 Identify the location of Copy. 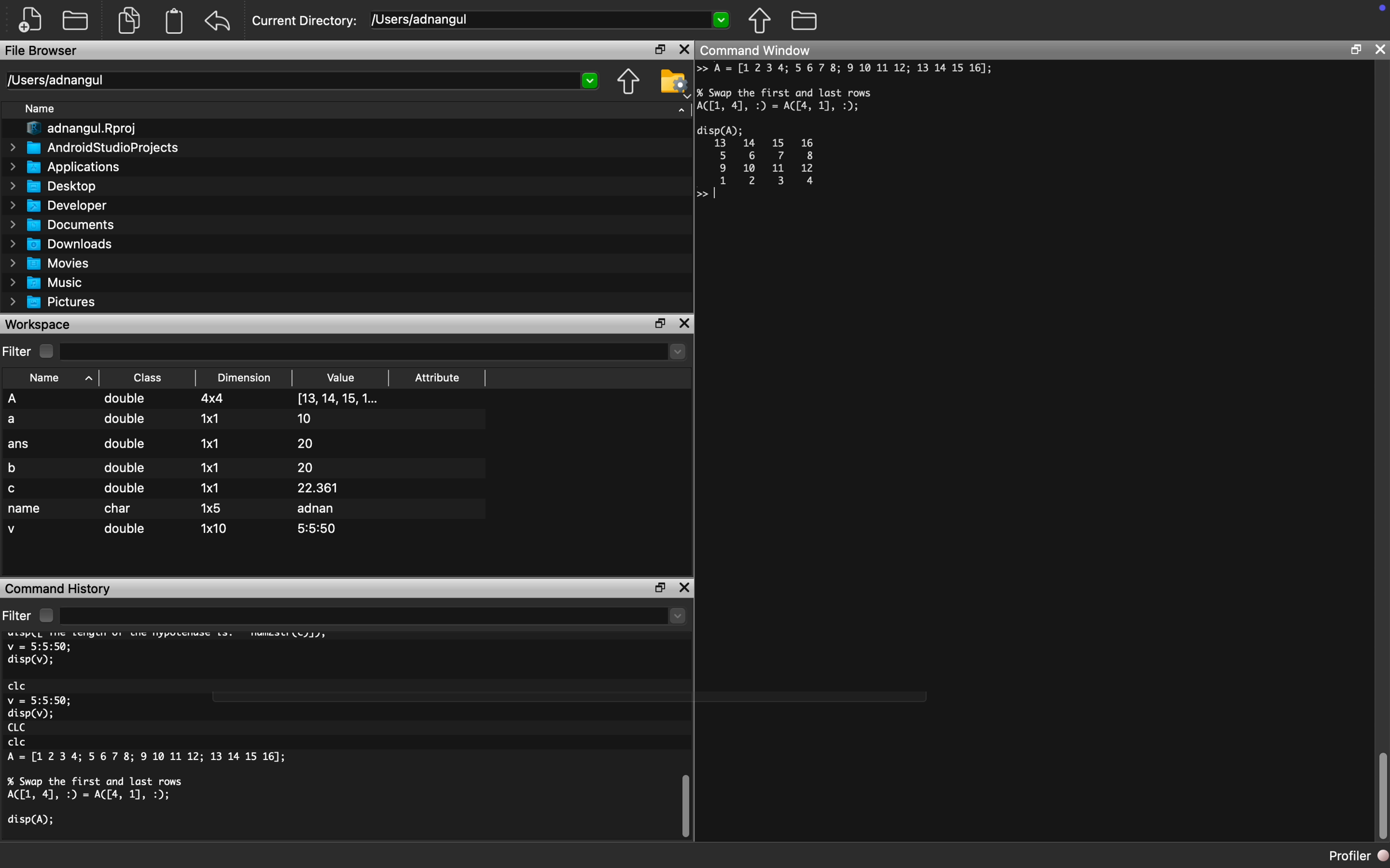
(130, 18).